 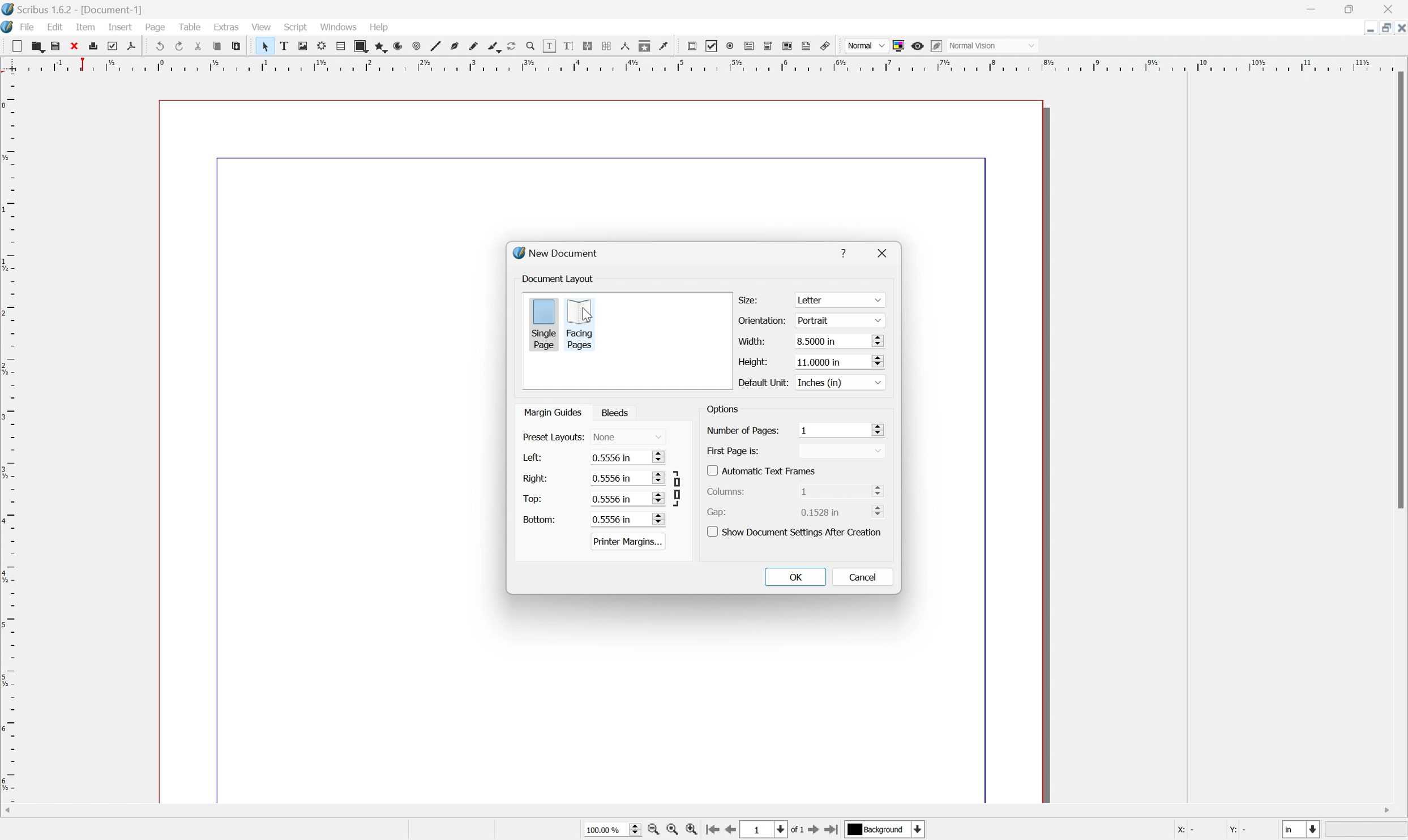 I want to click on 0.5556 in, so click(x=627, y=458).